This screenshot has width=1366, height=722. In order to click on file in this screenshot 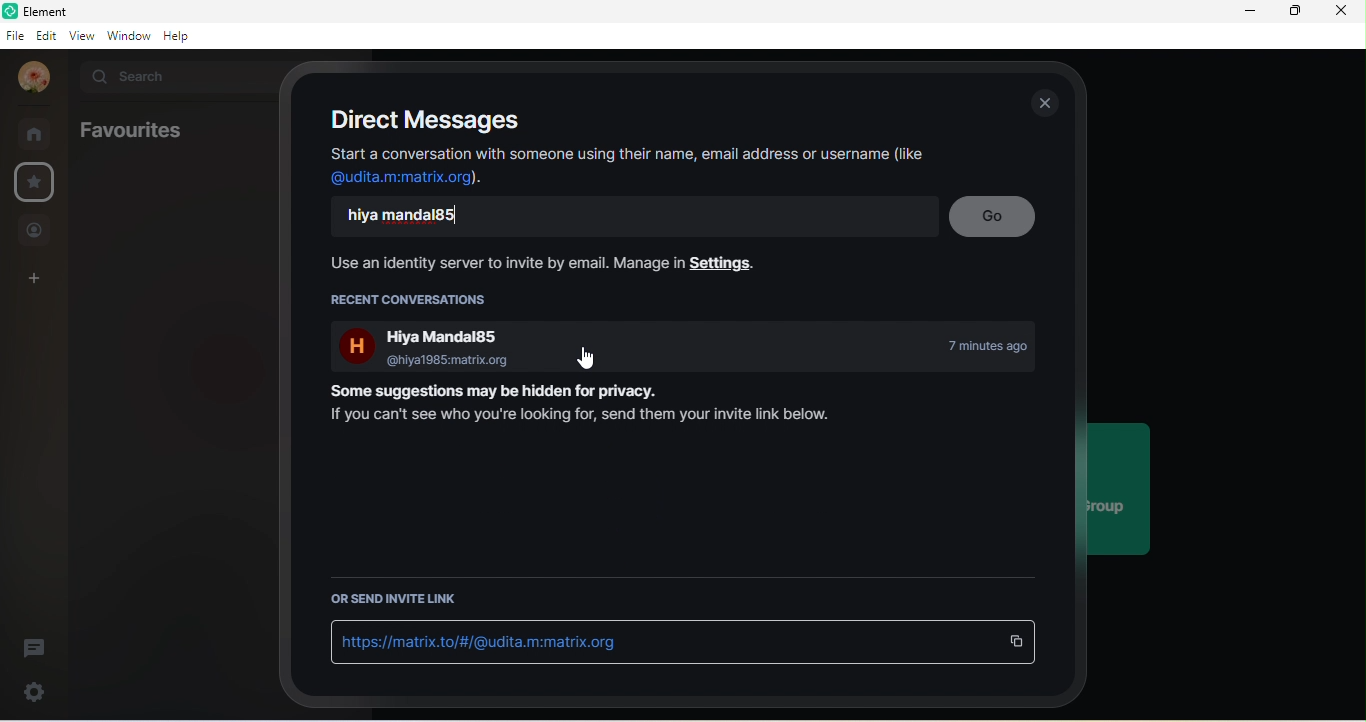, I will do `click(15, 34)`.